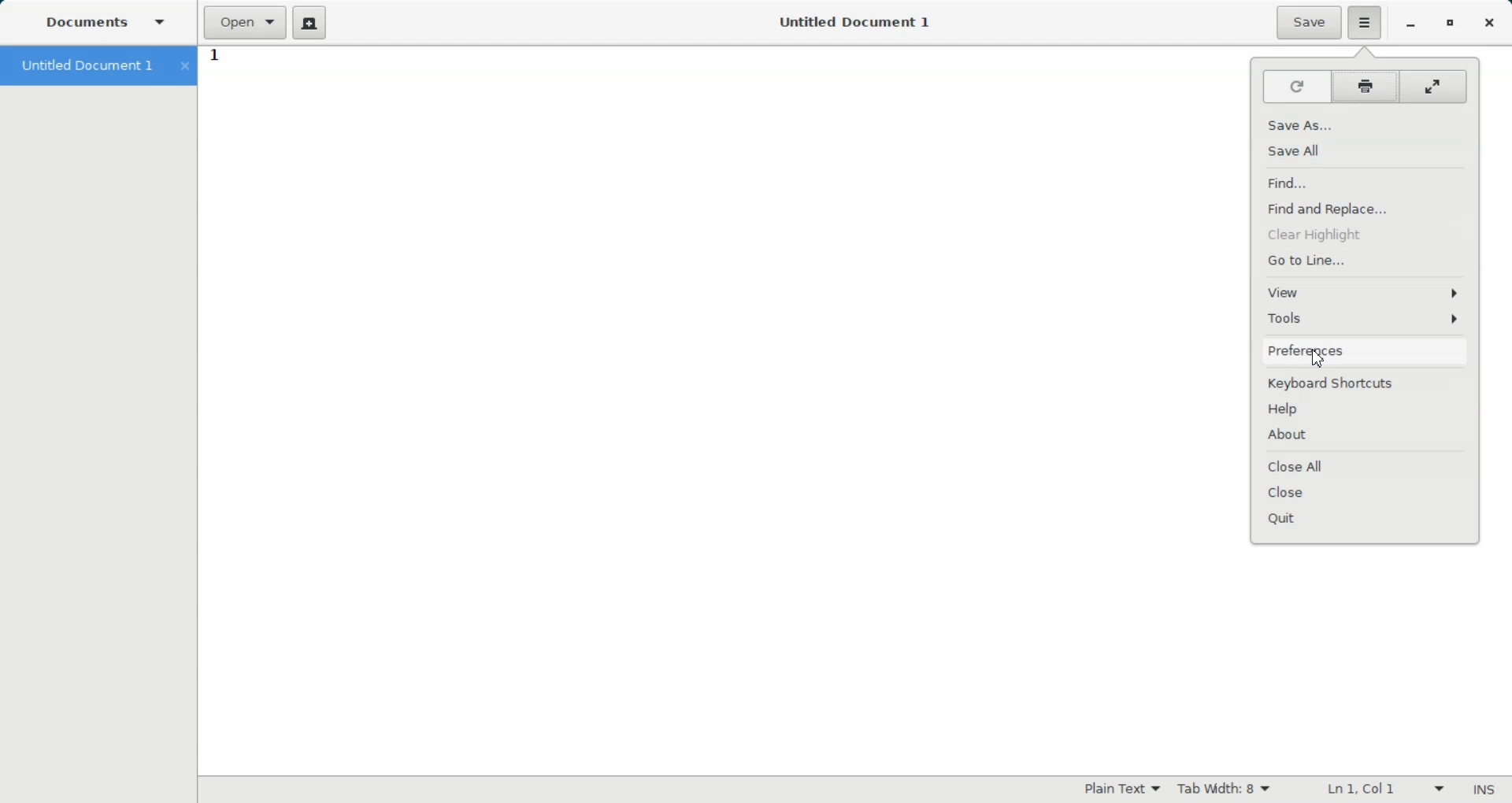 This screenshot has width=1512, height=803. What do you see at coordinates (1364, 234) in the screenshot?
I see `Clear Highlight` at bounding box center [1364, 234].